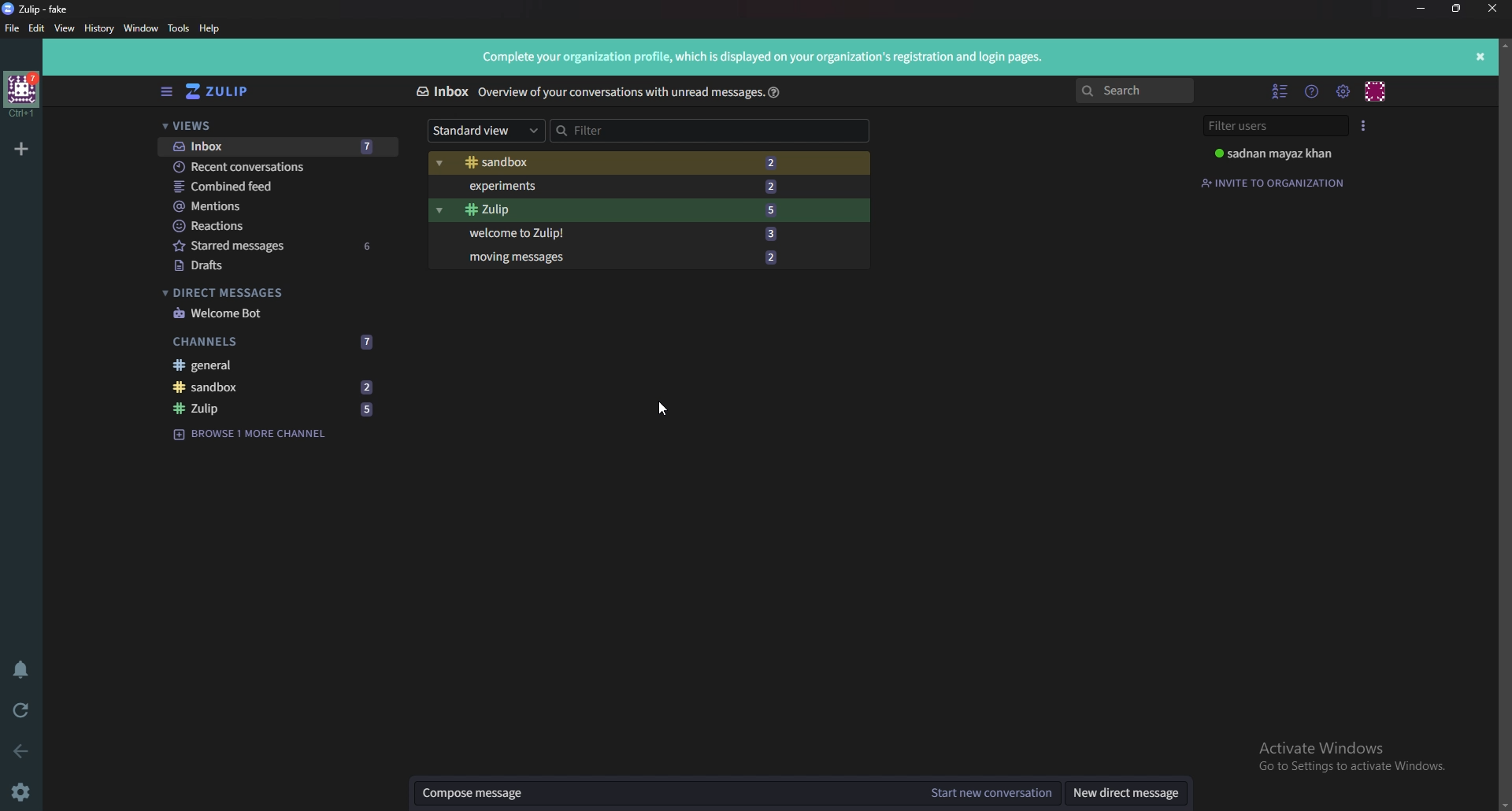 The width and height of the screenshot is (1512, 811). What do you see at coordinates (99, 29) in the screenshot?
I see `History` at bounding box center [99, 29].